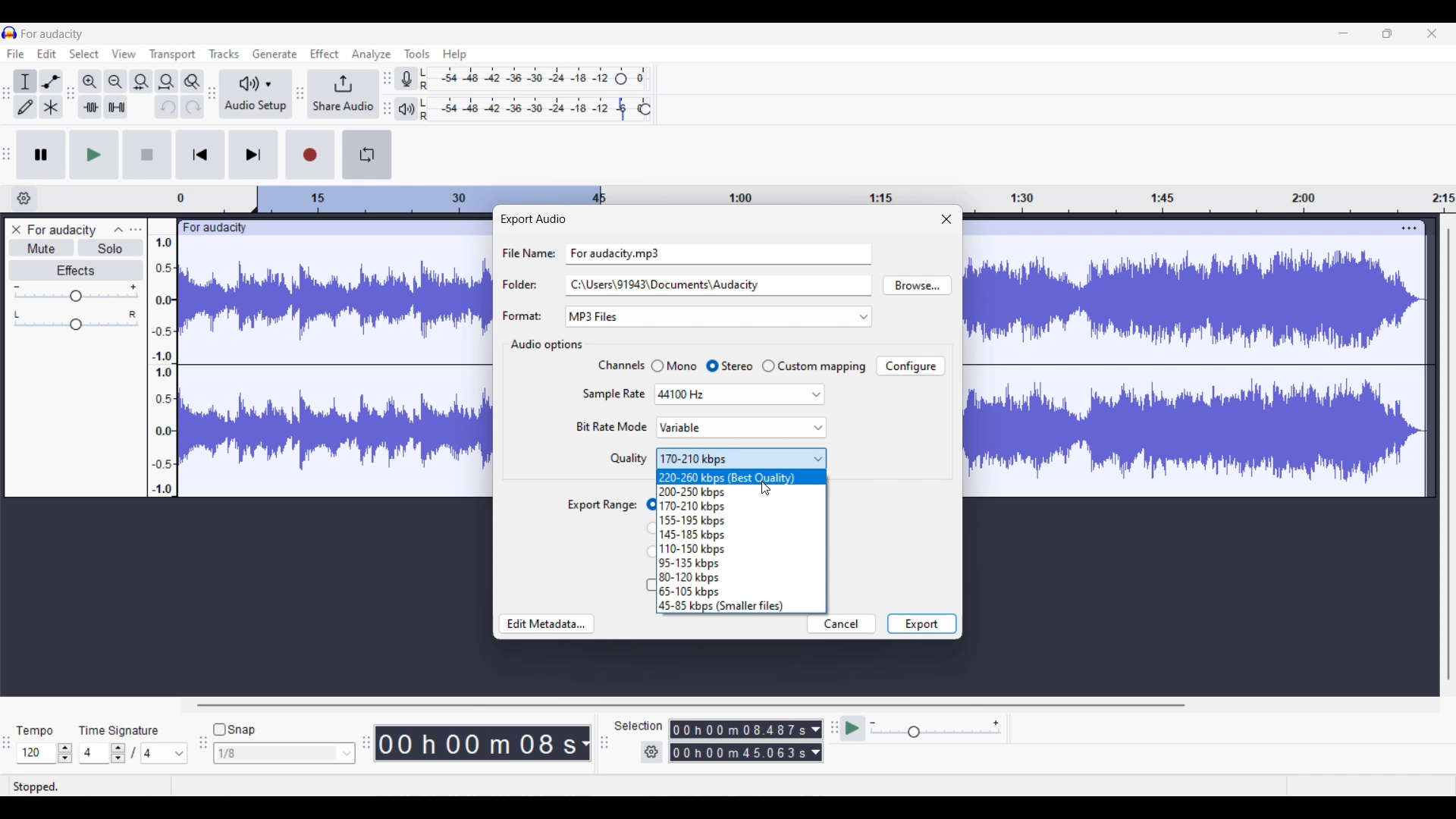 The image size is (1456, 819). What do you see at coordinates (946, 218) in the screenshot?
I see `Close` at bounding box center [946, 218].